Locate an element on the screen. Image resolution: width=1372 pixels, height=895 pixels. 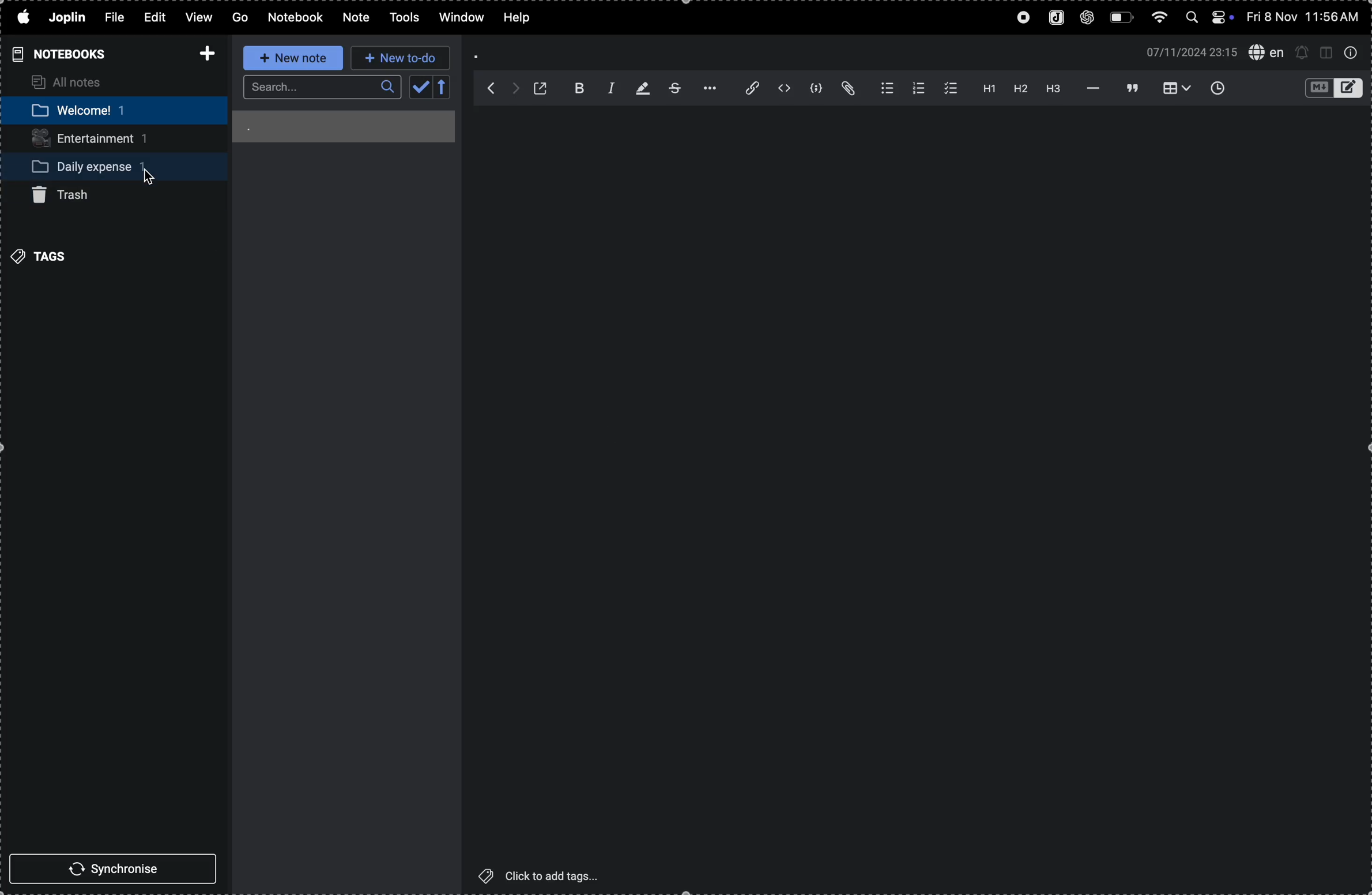
new note is located at coordinates (289, 58).